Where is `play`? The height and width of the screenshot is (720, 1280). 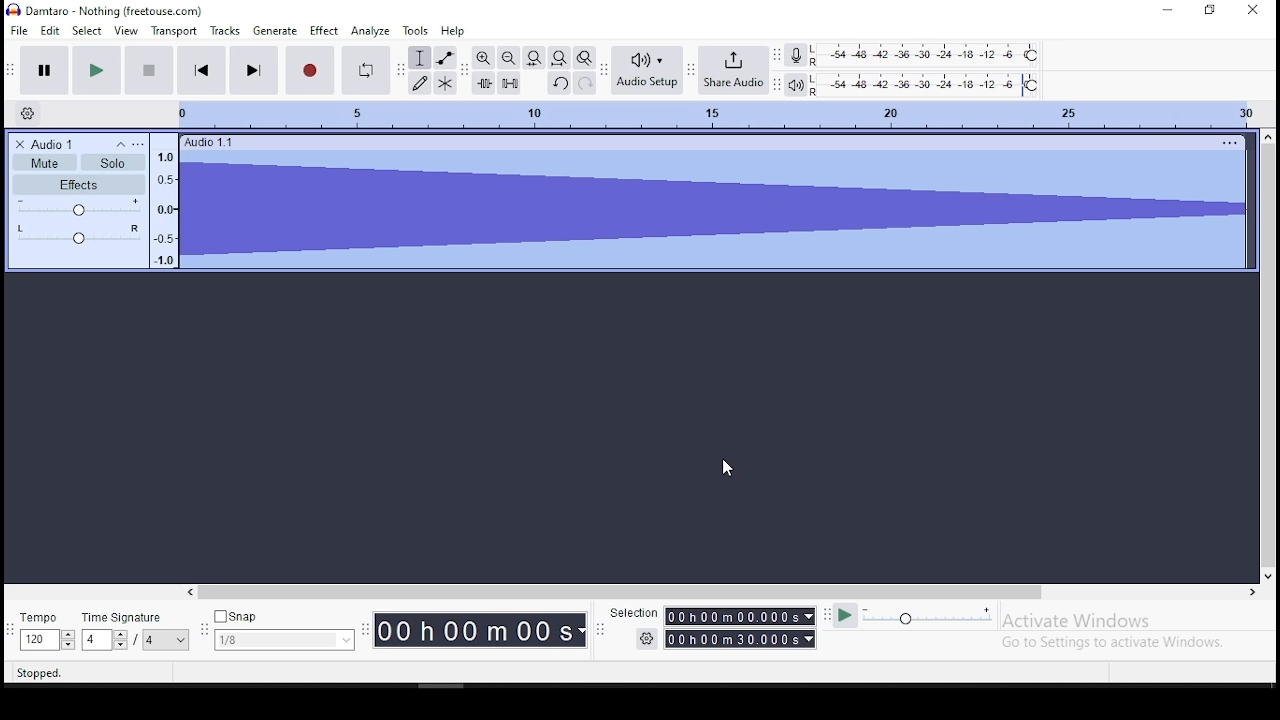 play is located at coordinates (98, 69).